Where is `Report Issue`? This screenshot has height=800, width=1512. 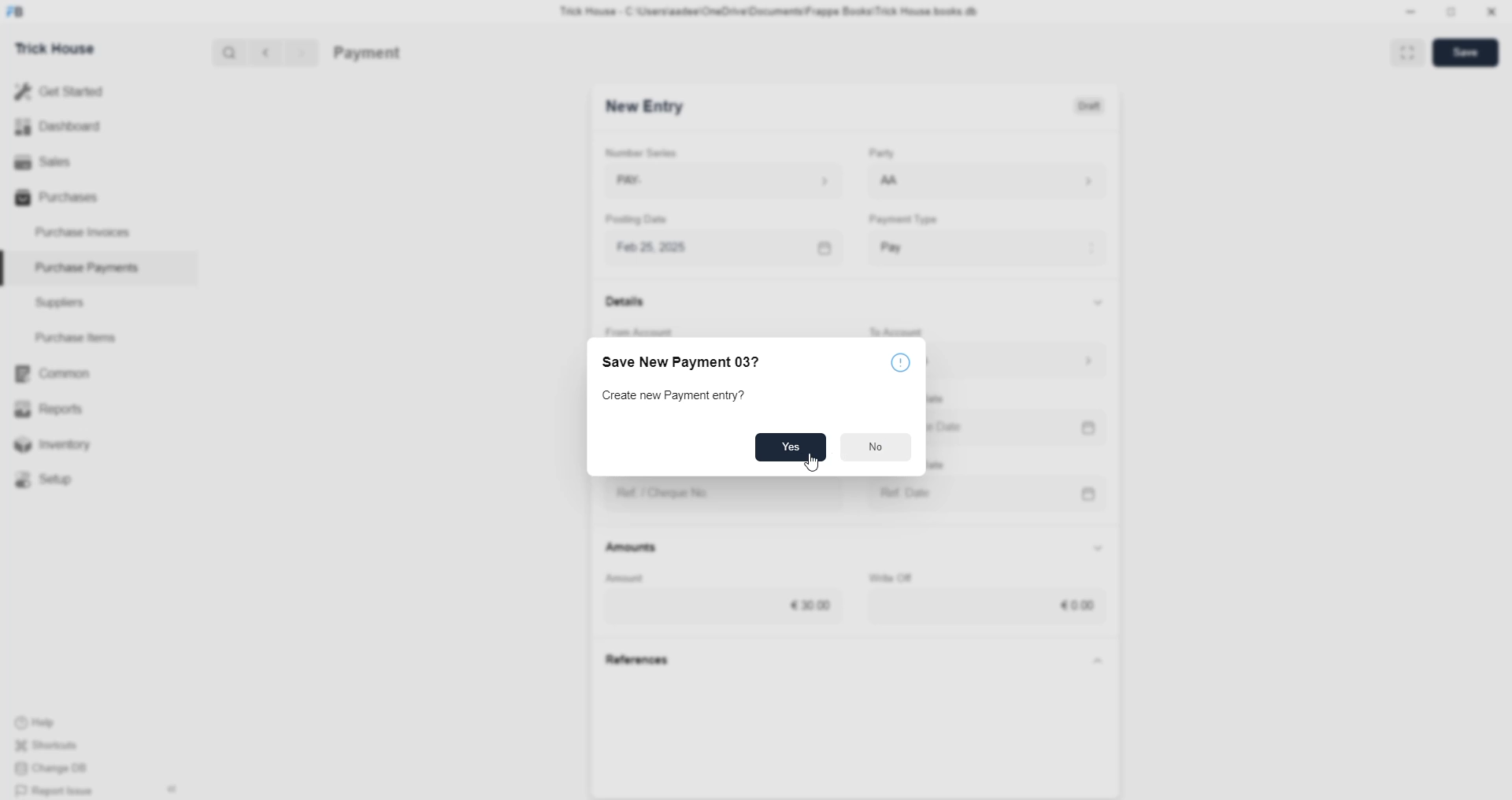
Report Issue is located at coordinates (59, 791).